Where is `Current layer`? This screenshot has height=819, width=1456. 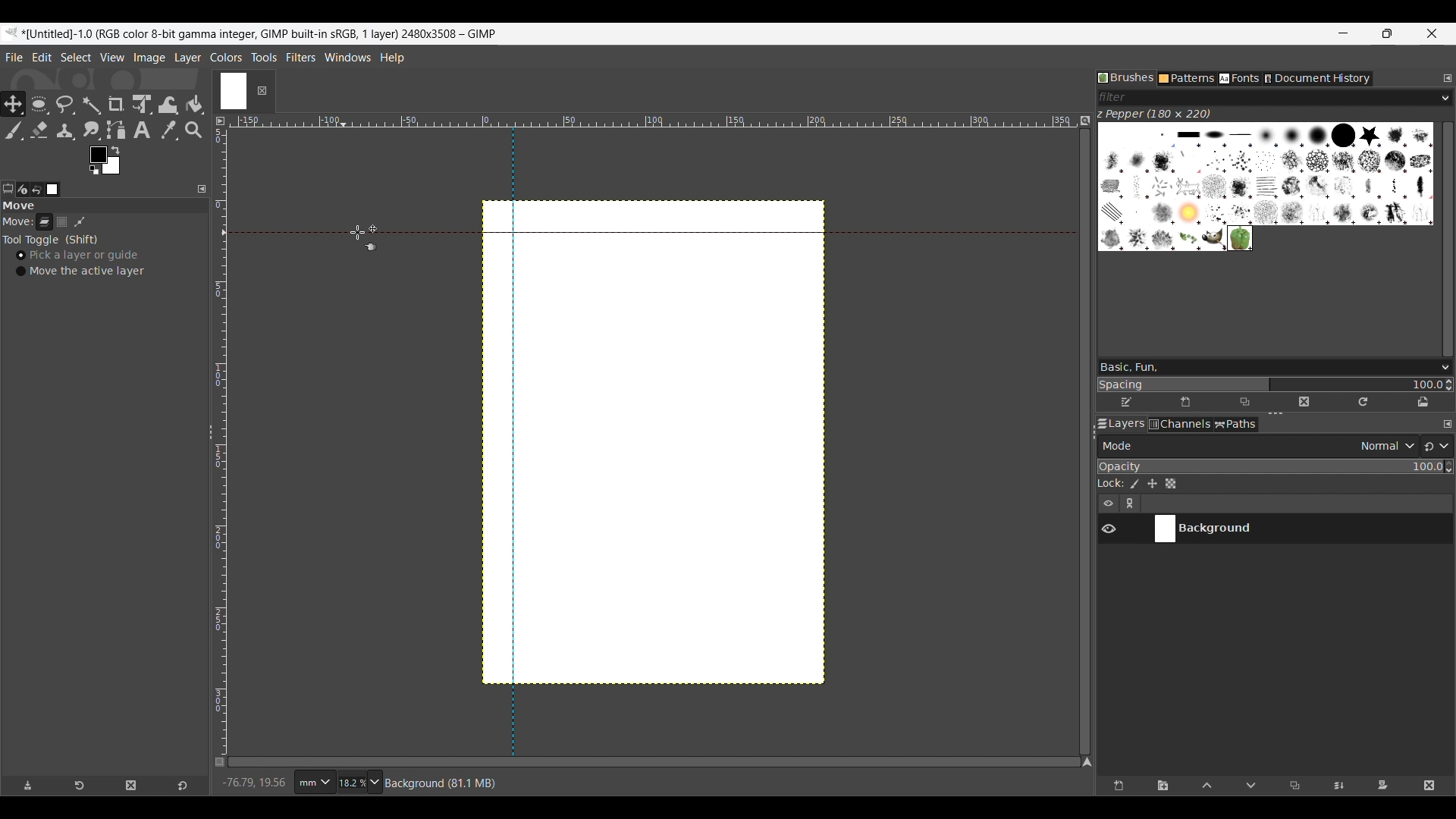
Current layer is located at coordinates (1286, 529).